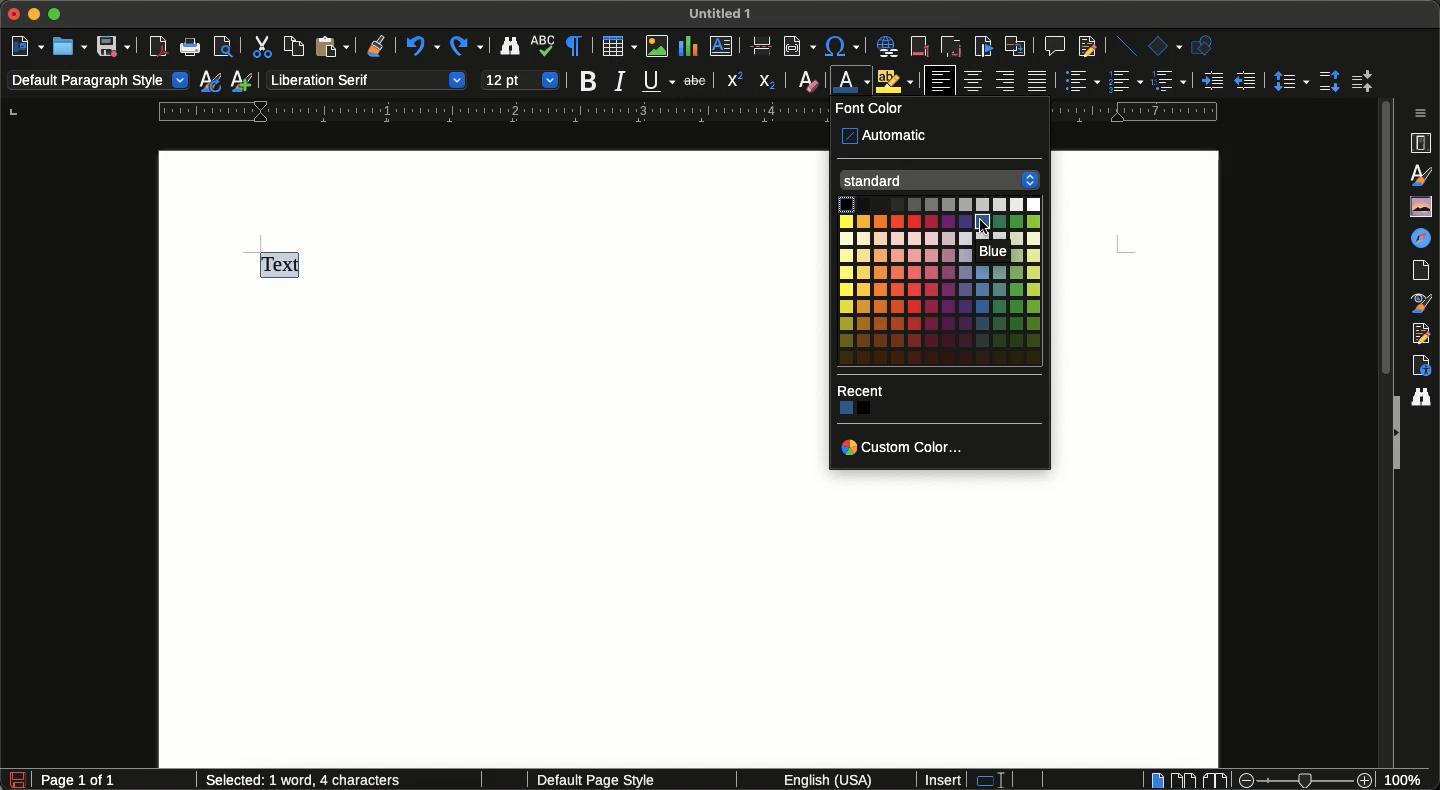 Image resolution: width=1440 pixels, height=790 pixels. Describe the element at coordinates (1213, 780) in the screenshot. I see `Book view` at that location.